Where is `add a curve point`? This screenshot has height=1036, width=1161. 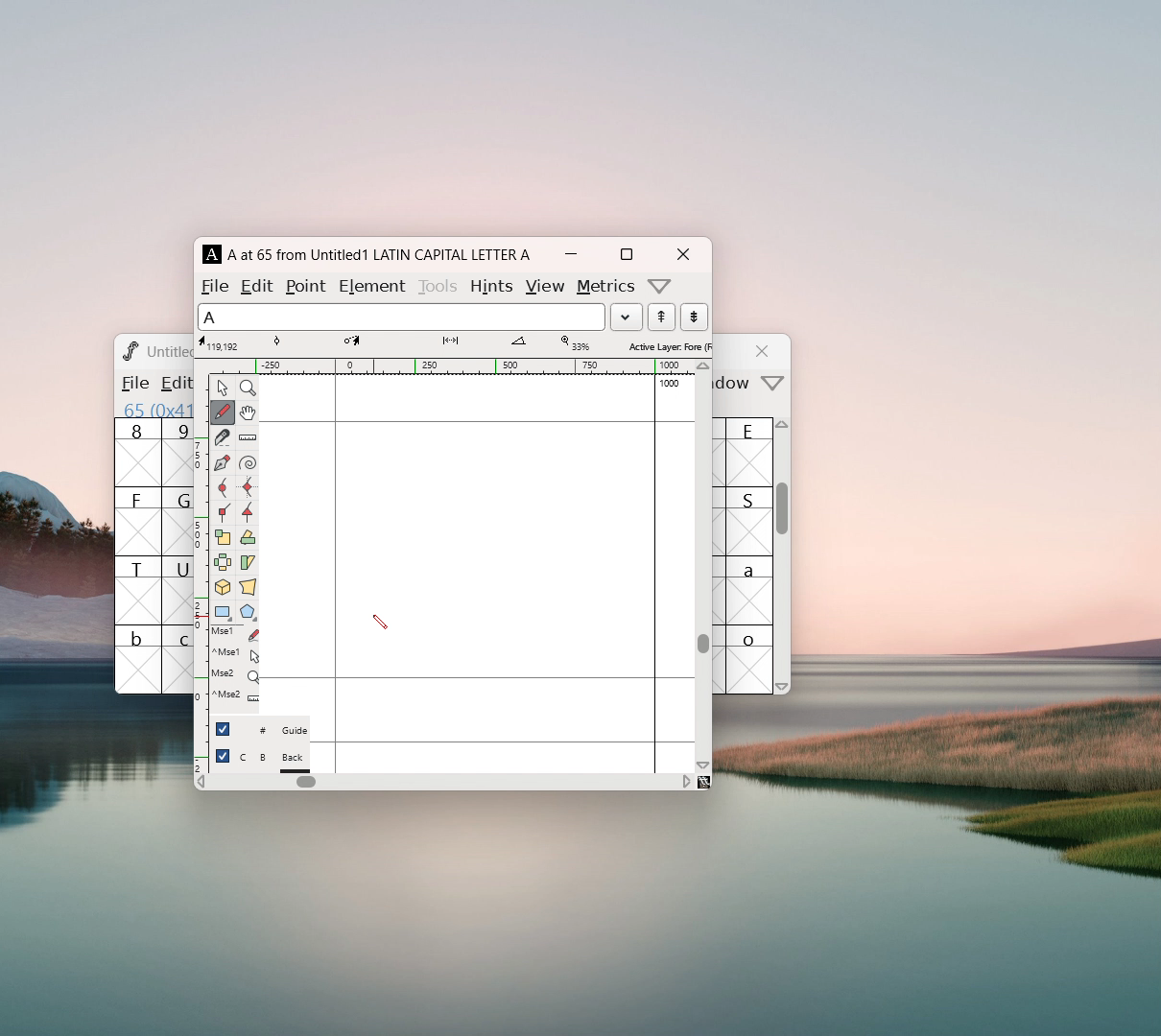 add a curve point is located at coordinates (222, 488).